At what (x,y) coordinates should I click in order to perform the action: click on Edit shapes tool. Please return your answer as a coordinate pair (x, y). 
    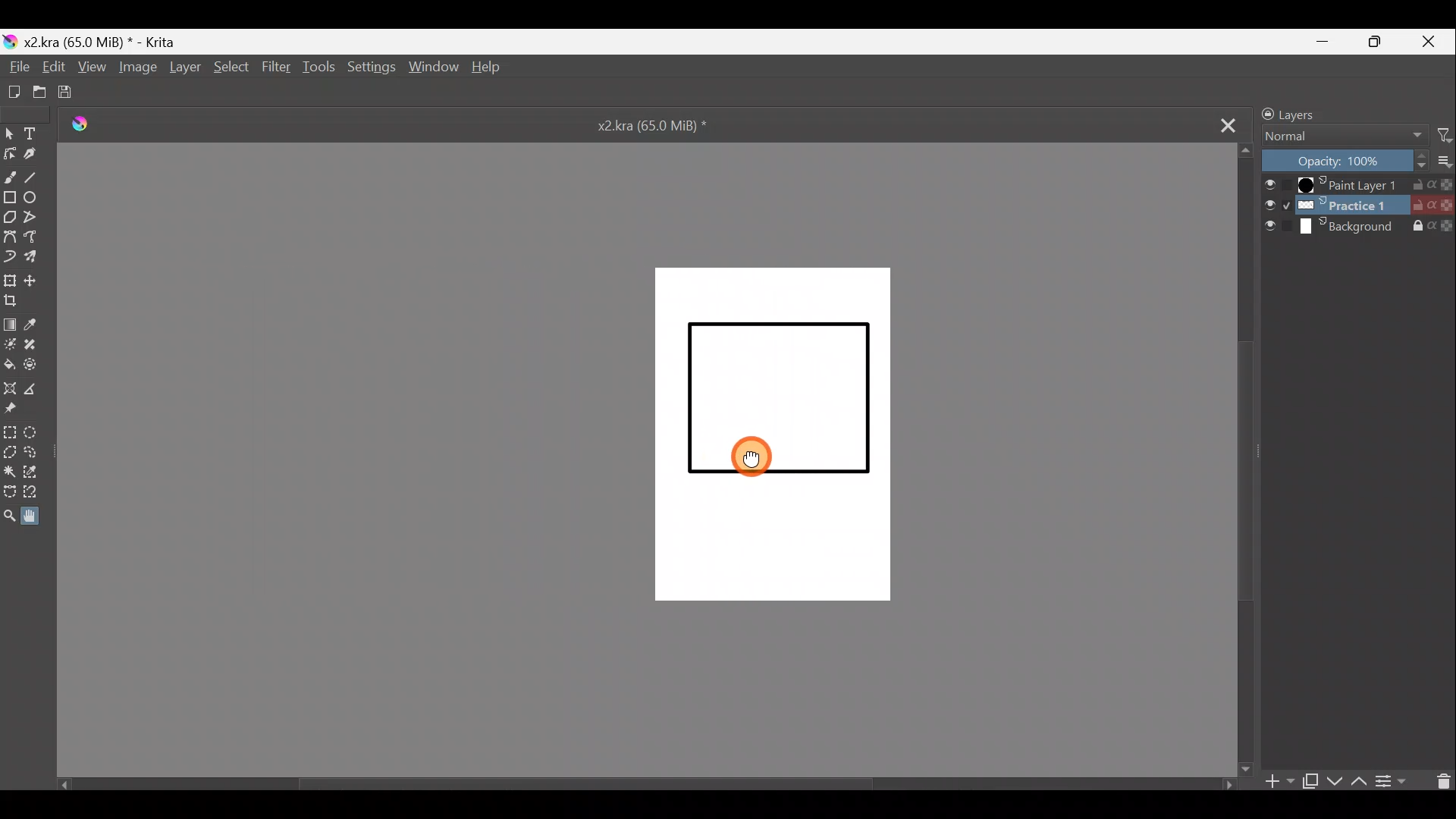
    Looking at the image, I should click on (9, 153).